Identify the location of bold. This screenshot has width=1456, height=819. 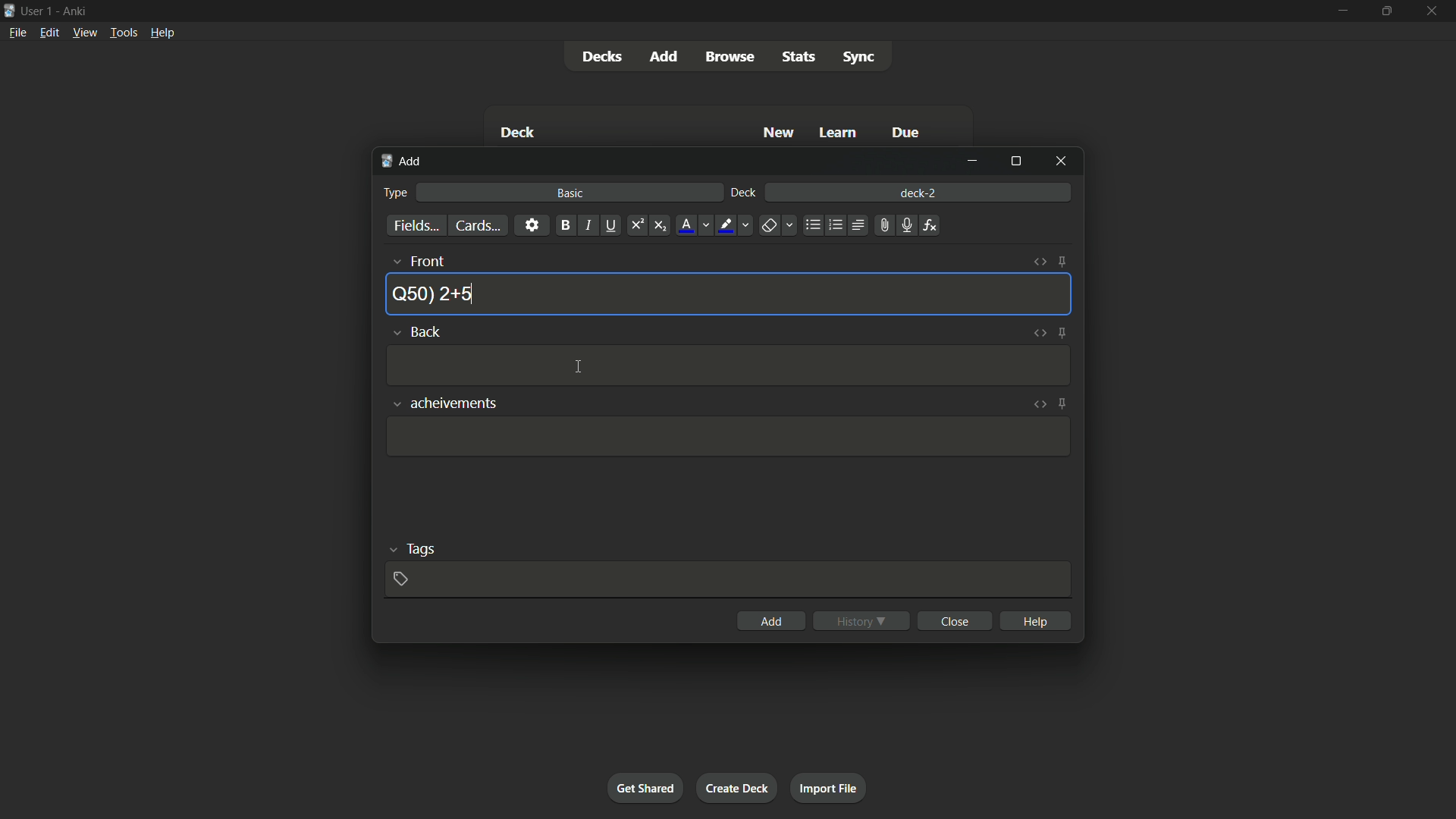
(565, 226).